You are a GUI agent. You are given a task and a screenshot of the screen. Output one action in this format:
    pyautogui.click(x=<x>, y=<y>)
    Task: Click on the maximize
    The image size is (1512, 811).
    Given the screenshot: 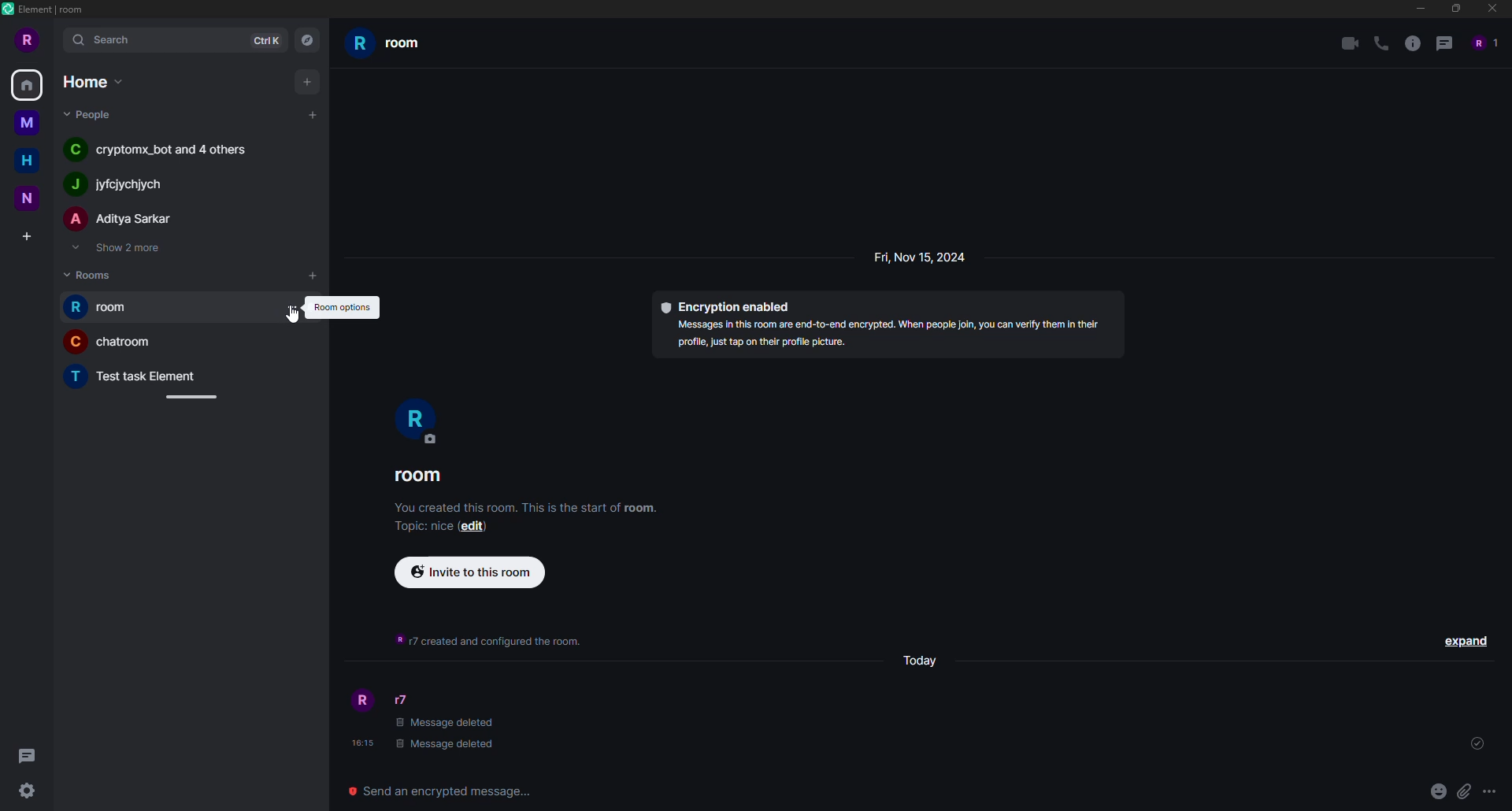 What is the action you would take?
    pyautogui.click(x=1458, y=9)
    